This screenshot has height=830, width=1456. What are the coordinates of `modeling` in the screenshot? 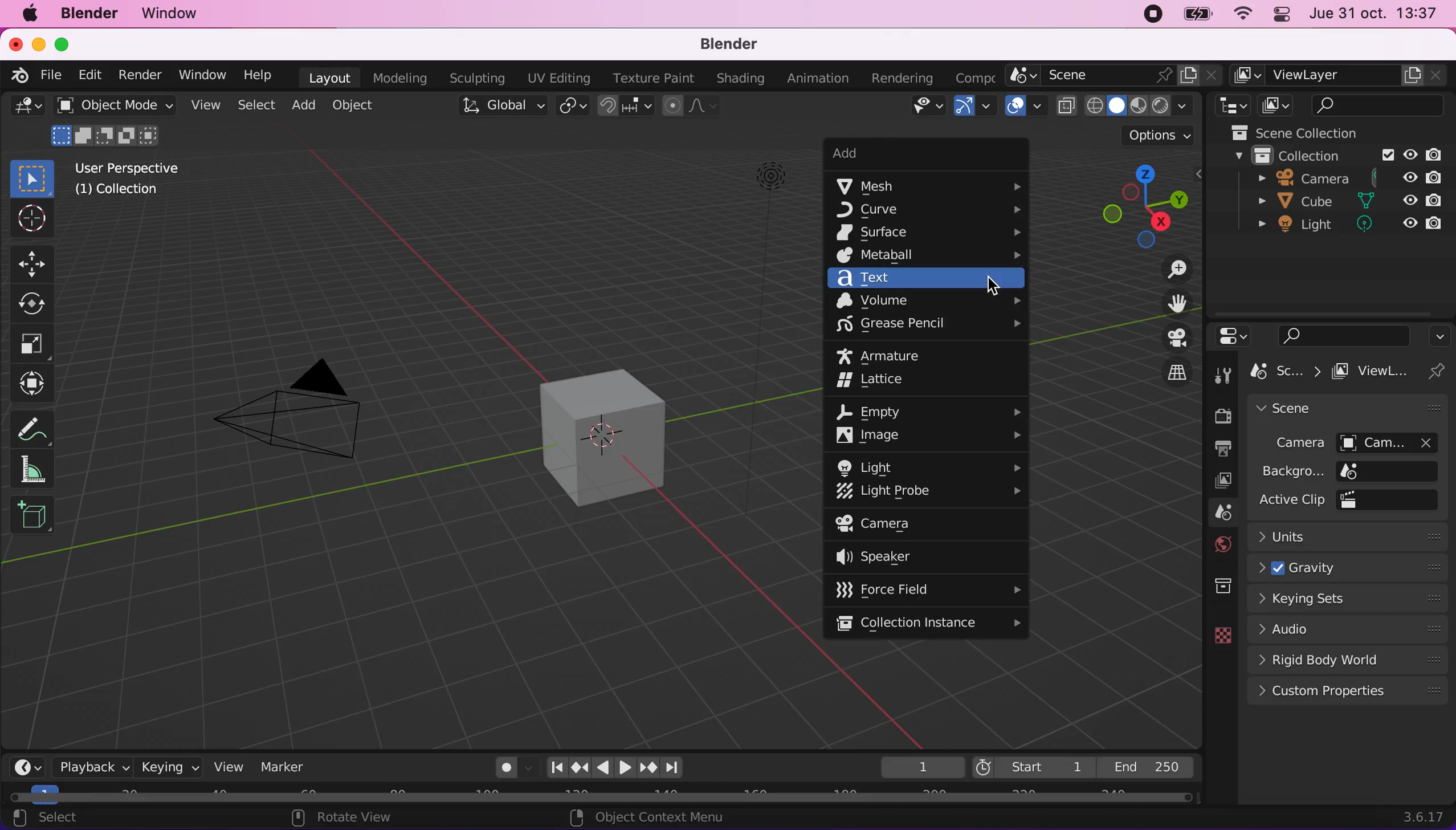 It's located at (401, 78).